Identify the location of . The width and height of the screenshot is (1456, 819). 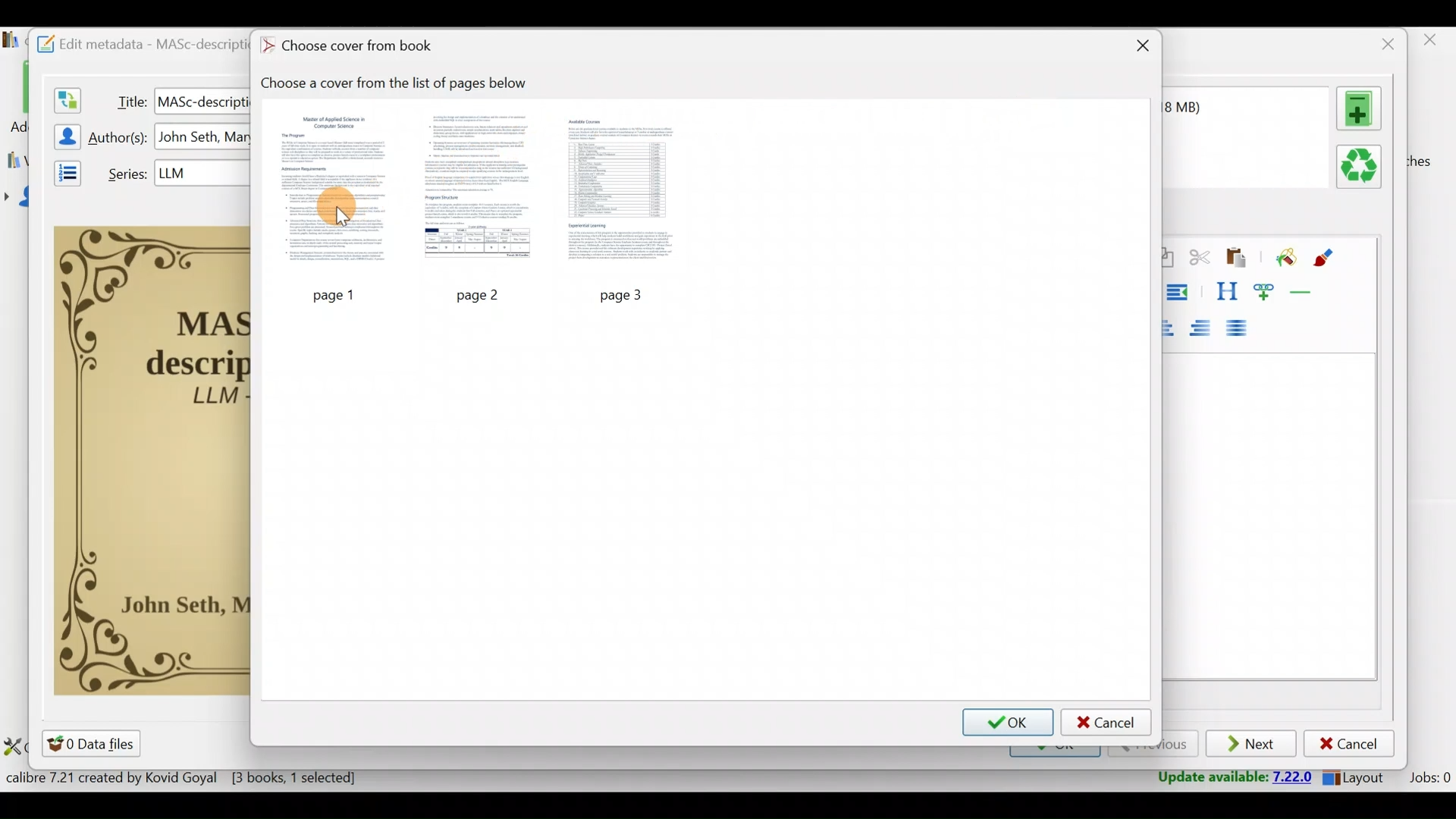
(202, 100).